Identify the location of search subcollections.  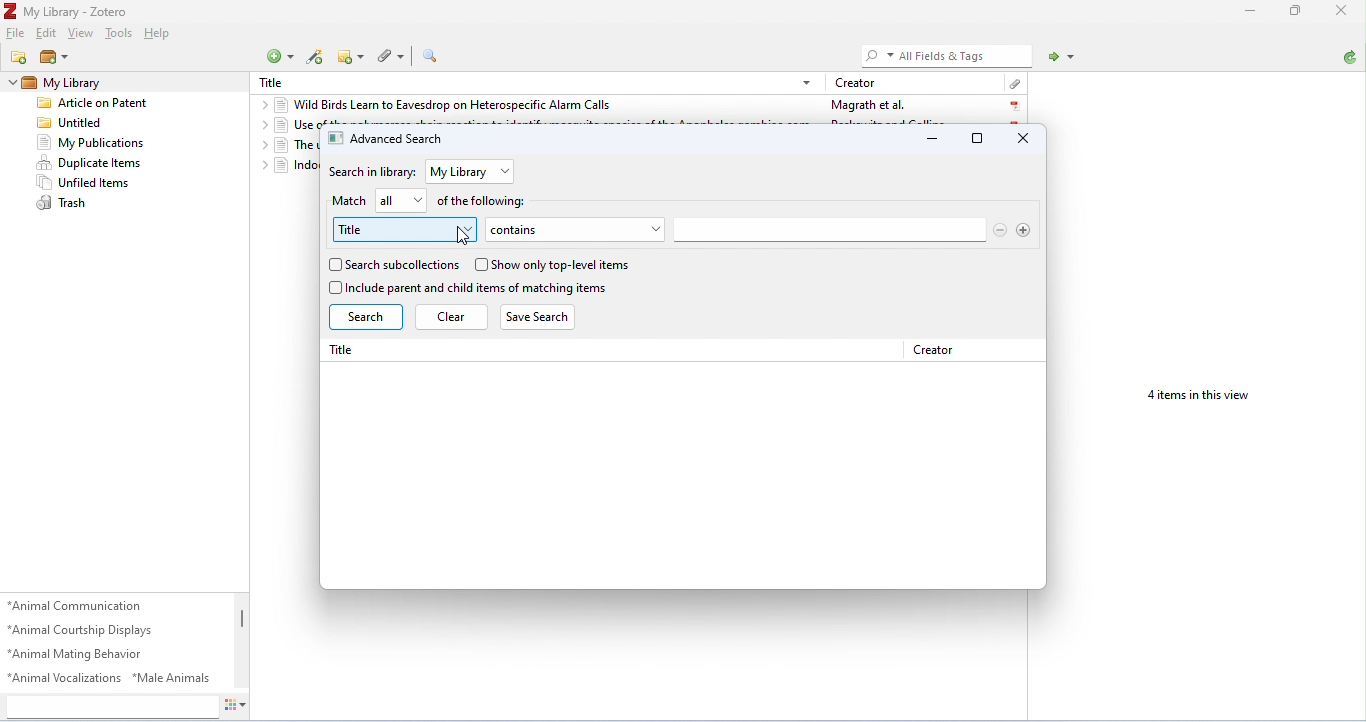
(402, 265).